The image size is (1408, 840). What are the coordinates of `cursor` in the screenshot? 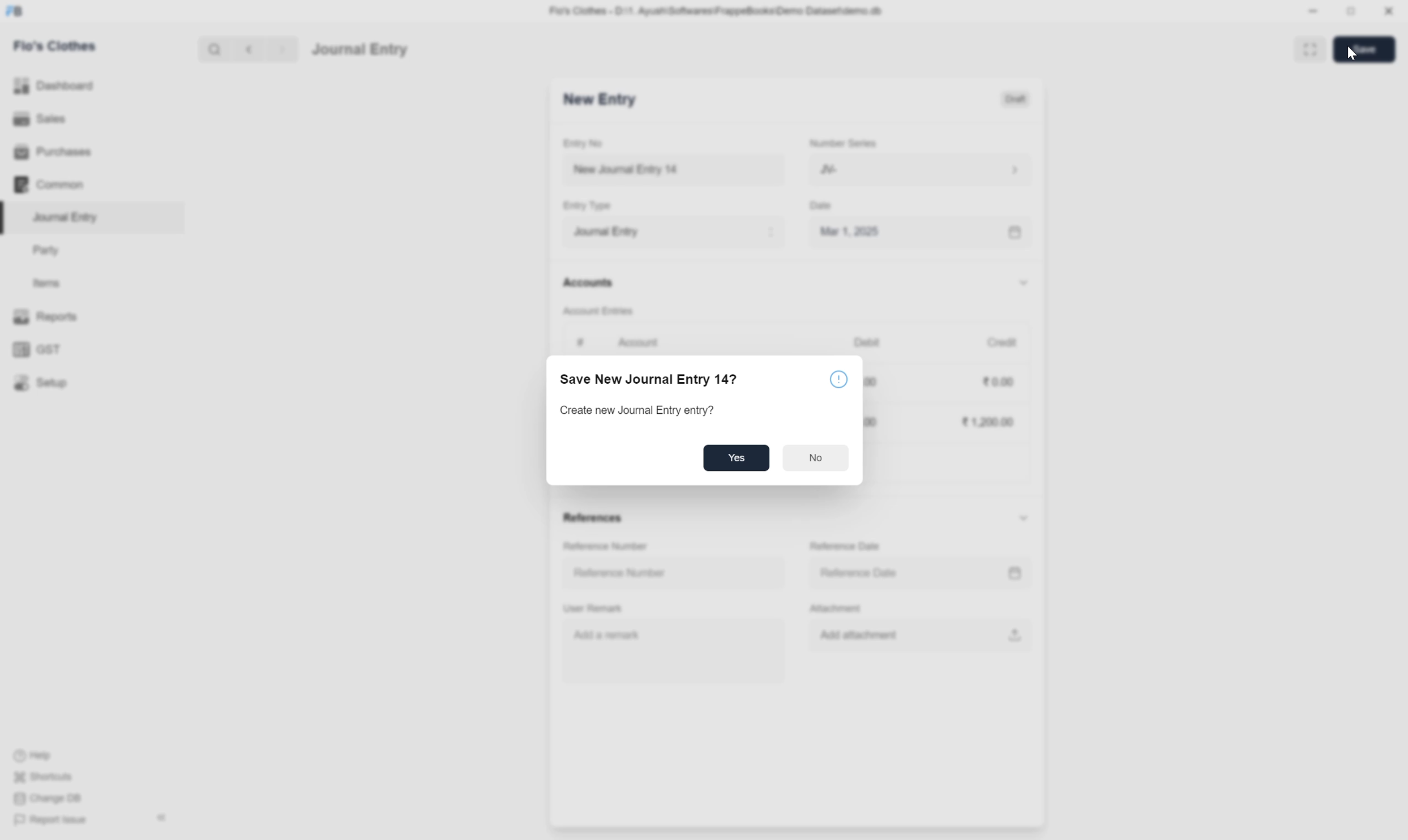 It's located at (1351, 55).